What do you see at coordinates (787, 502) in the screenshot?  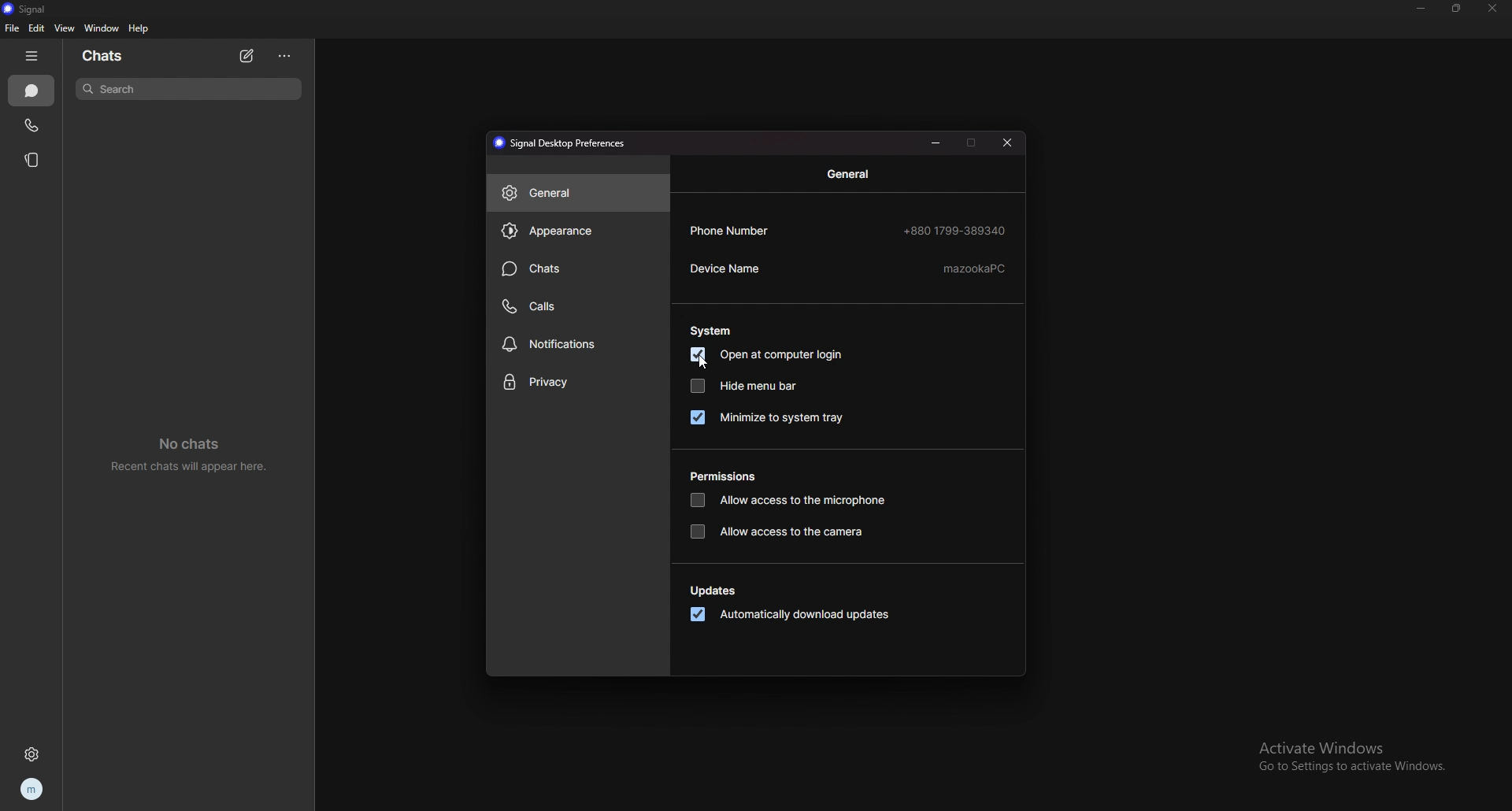 I see `allow access to microphone` at bounding box center [787, 502].